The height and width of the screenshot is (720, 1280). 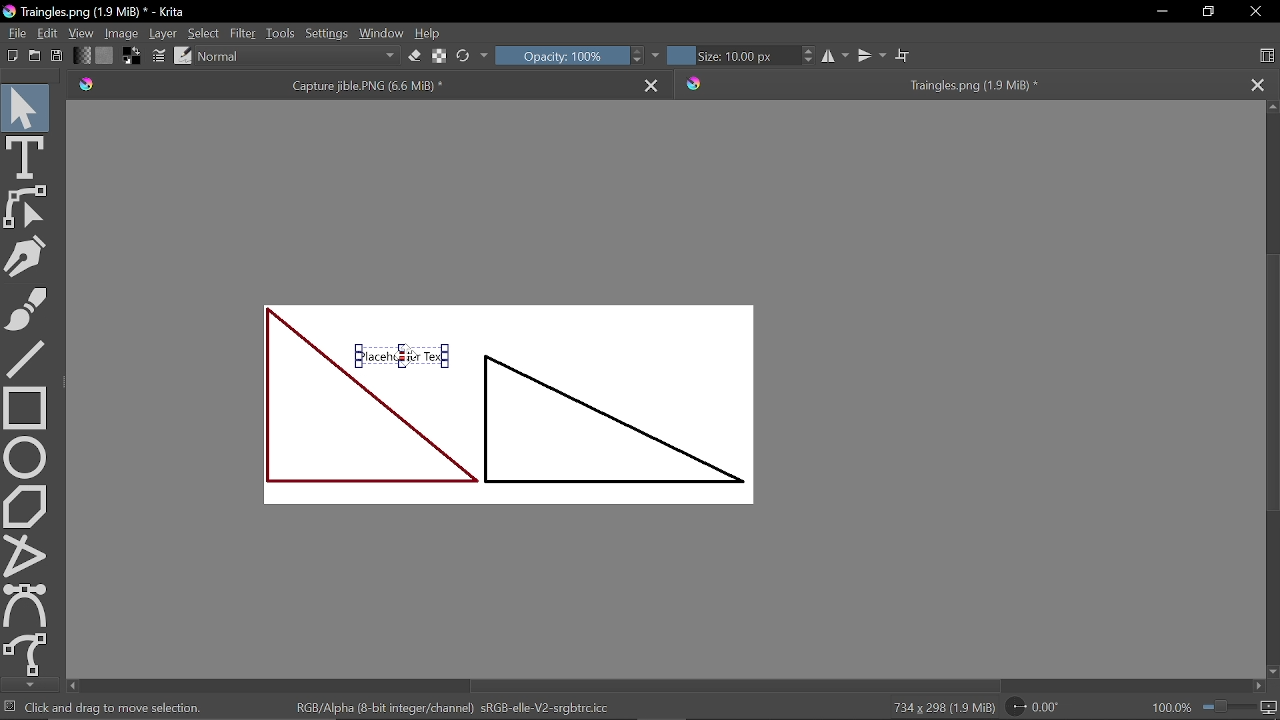 I want to click on Calligraphy, so click(x=26, y=258).